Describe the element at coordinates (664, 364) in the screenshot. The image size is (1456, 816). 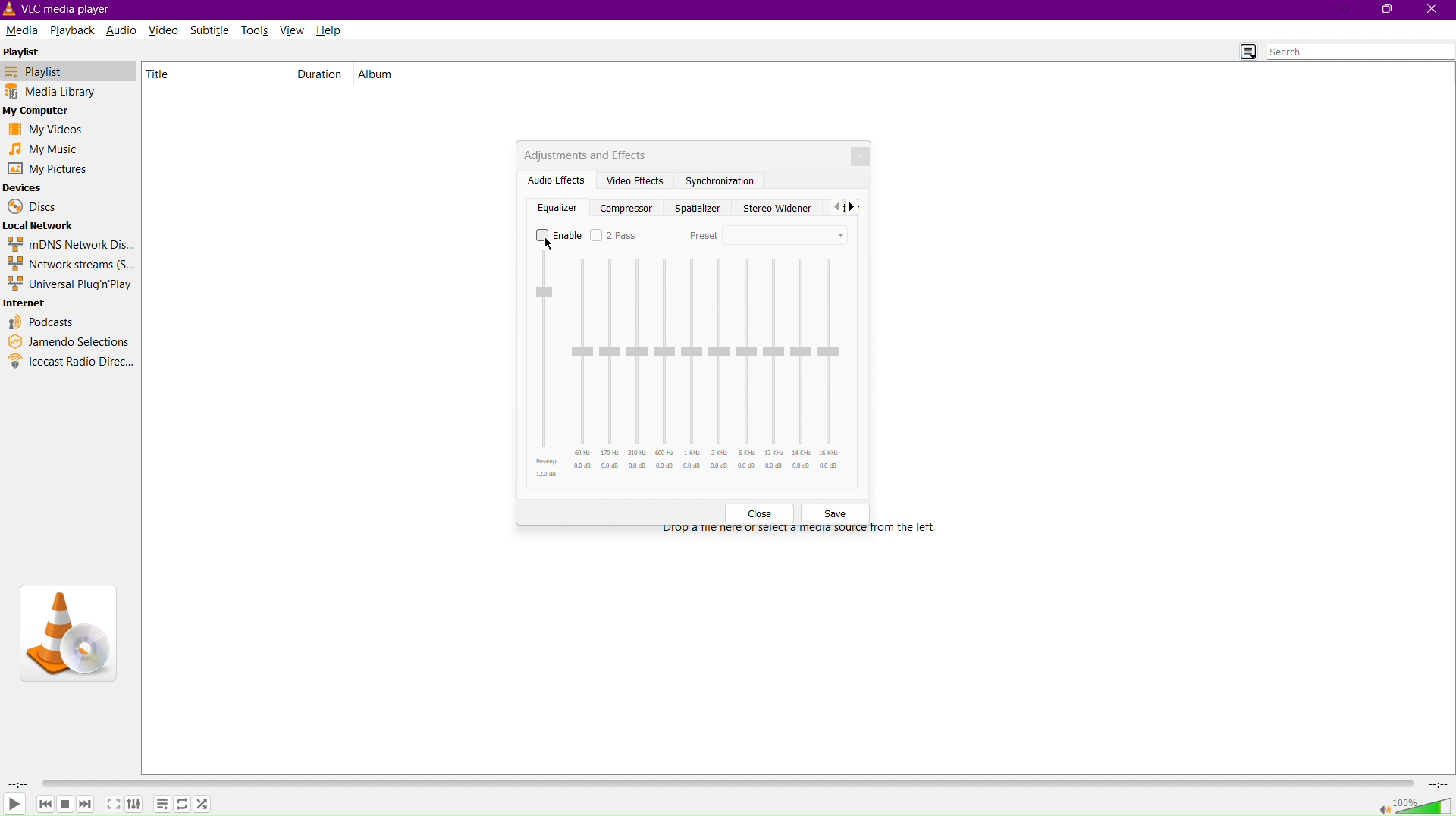
I see `600 Hz` at that location.